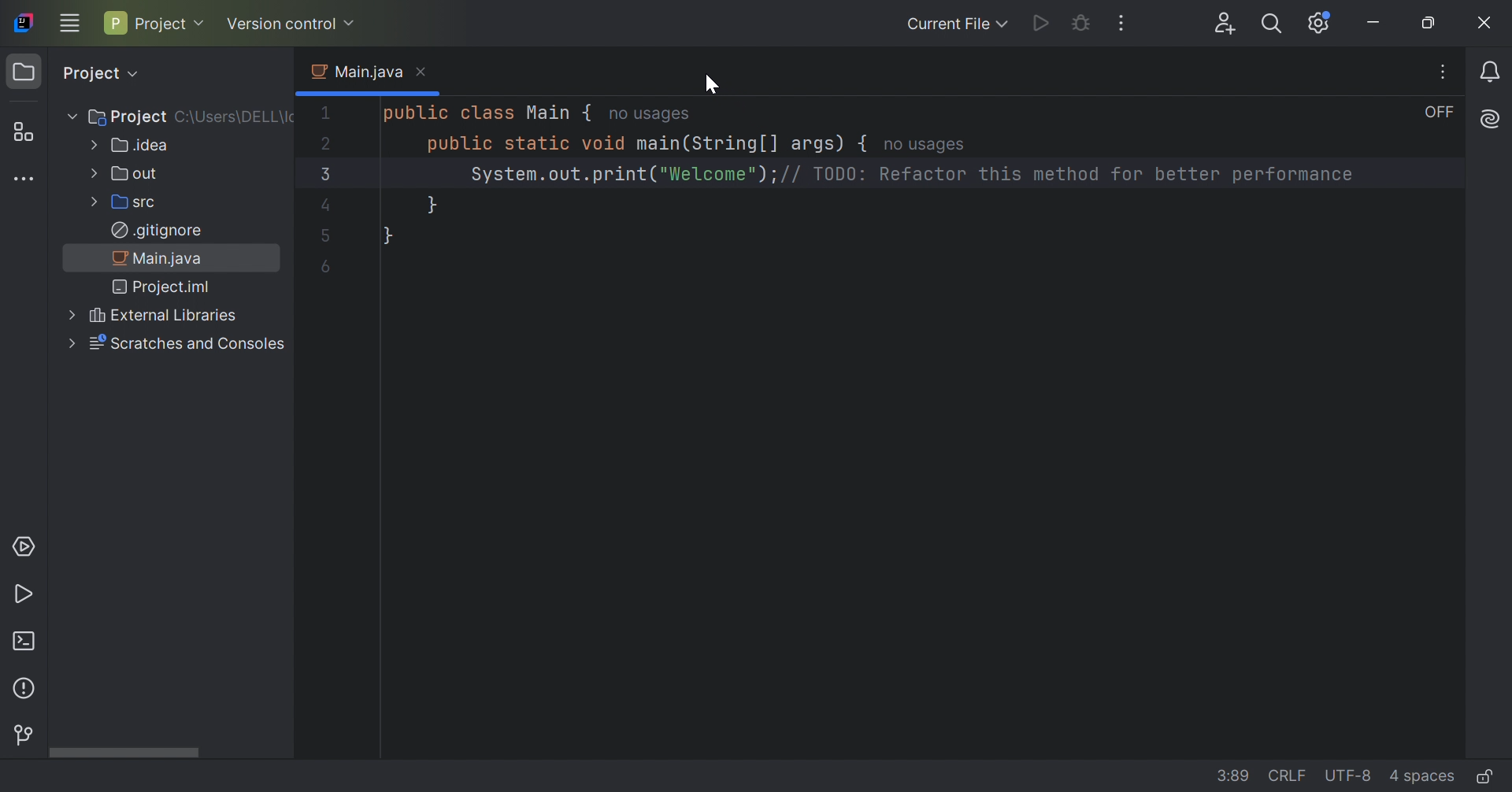 This screenshot has height=792, width=1512. I want to click on UTF-8, so click(1351, 775).